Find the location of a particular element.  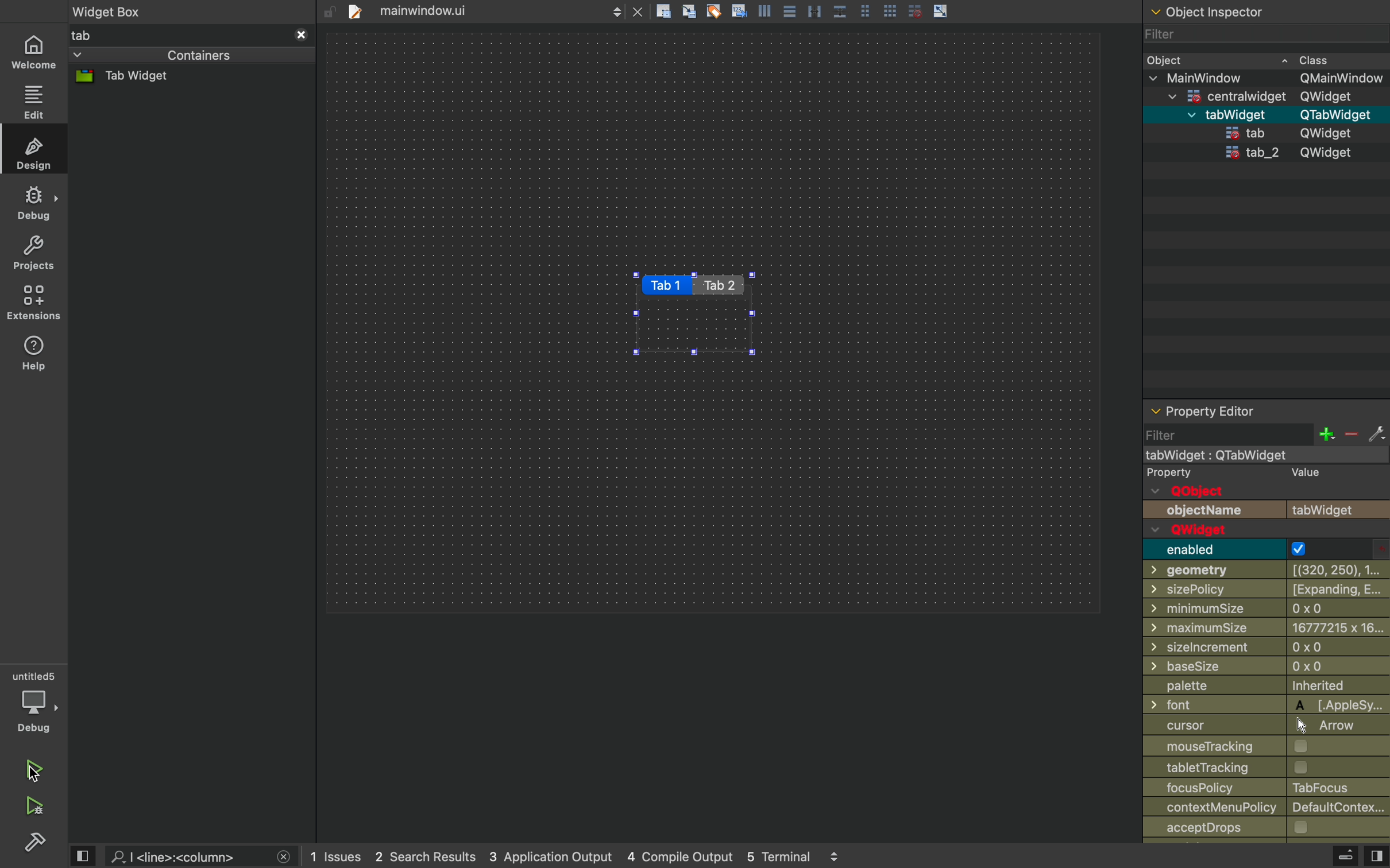

tab qwidget is located at coordinates (1291, 133).